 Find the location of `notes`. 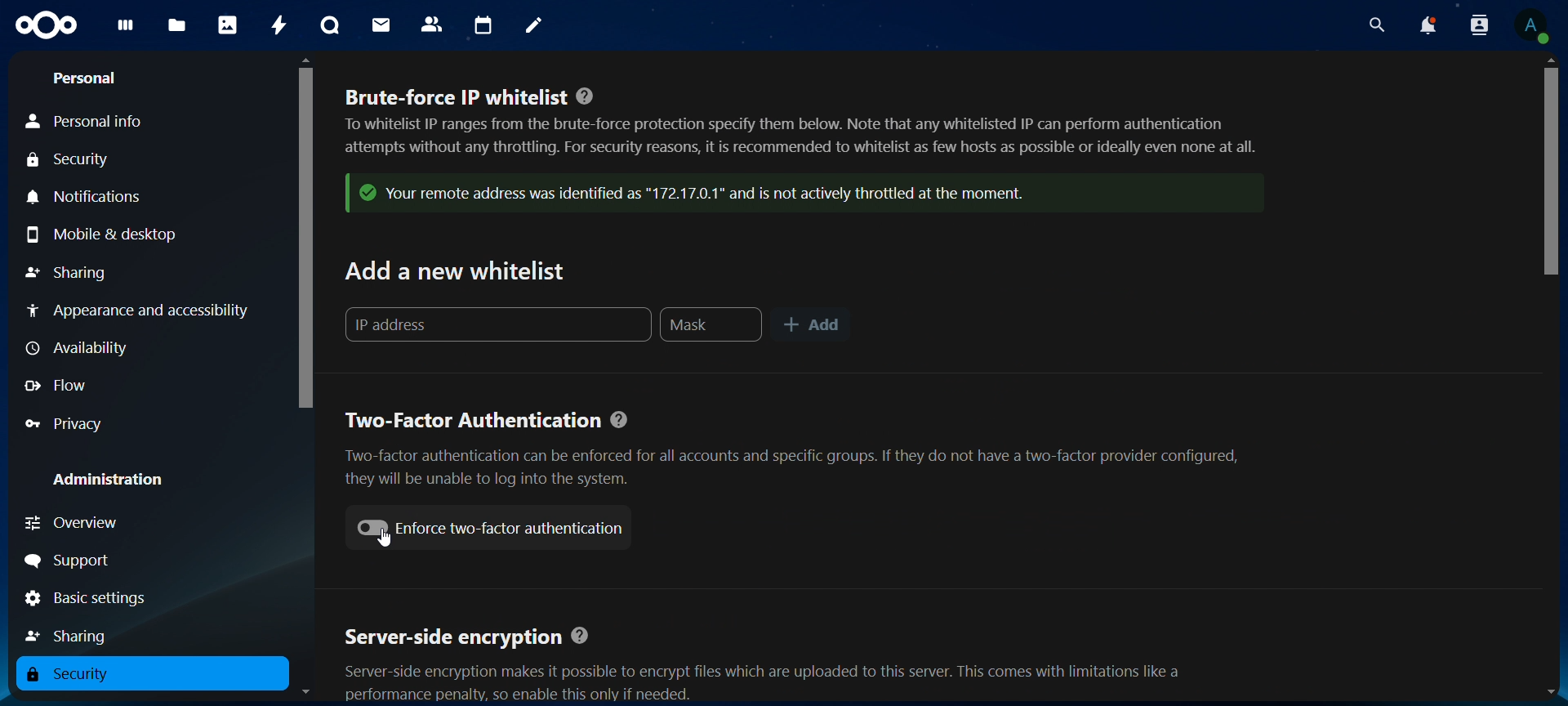

notes is located at coordinates (533, 25).